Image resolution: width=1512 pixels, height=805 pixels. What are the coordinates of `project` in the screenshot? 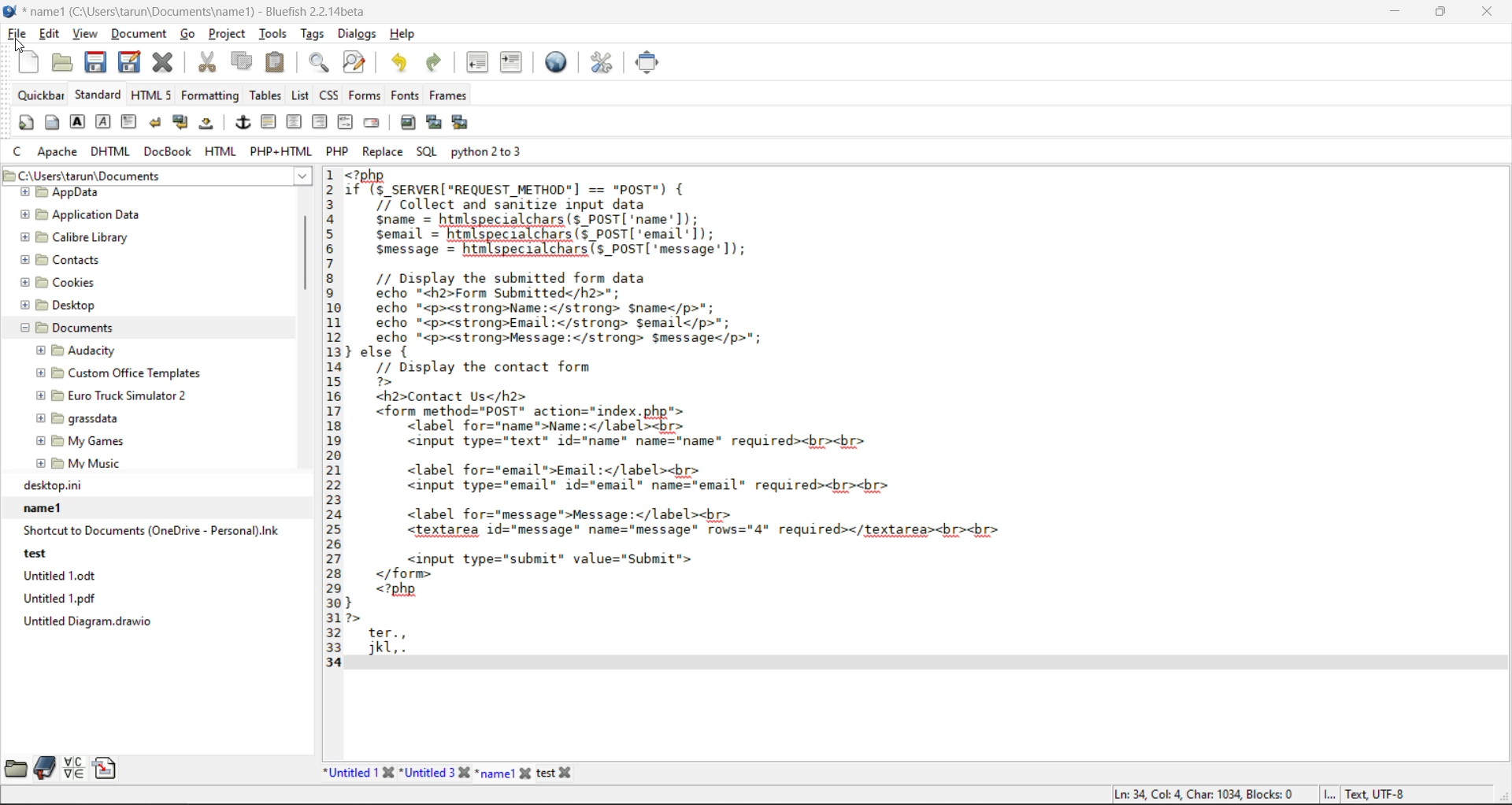 It's located at (228, 34).